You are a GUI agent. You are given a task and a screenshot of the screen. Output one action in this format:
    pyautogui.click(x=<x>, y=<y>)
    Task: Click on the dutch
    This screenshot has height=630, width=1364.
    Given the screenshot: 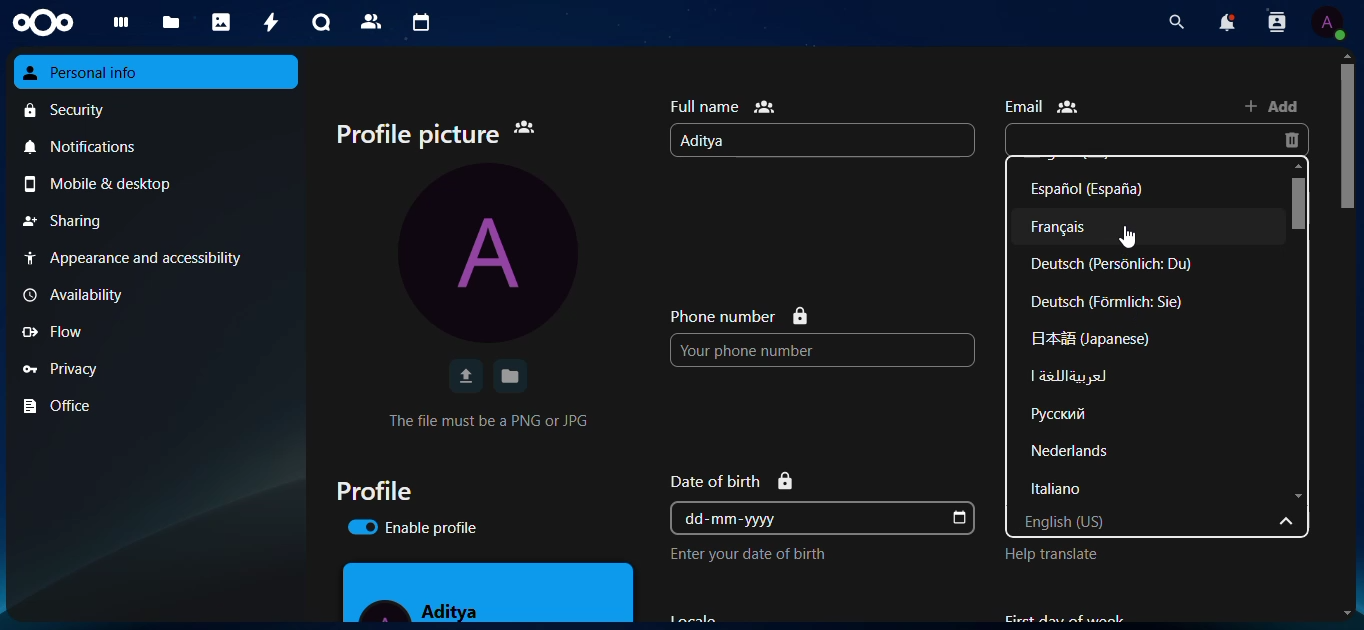 What is the action you would take?
    pyautogui.click(x=1075, y=450)
    